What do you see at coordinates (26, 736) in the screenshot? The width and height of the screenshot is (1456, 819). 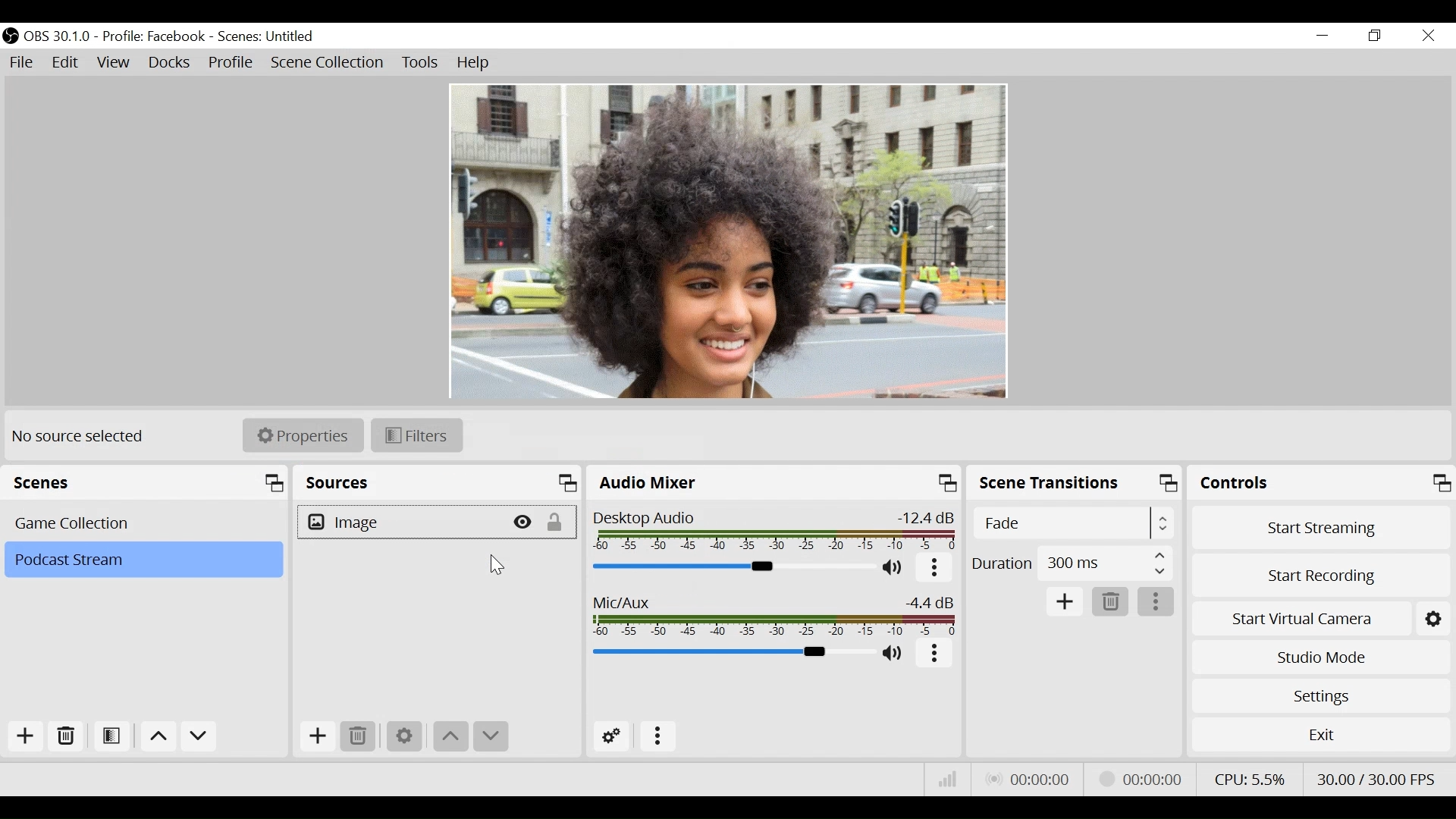 I see `Add` at bounding box center [26, 736].